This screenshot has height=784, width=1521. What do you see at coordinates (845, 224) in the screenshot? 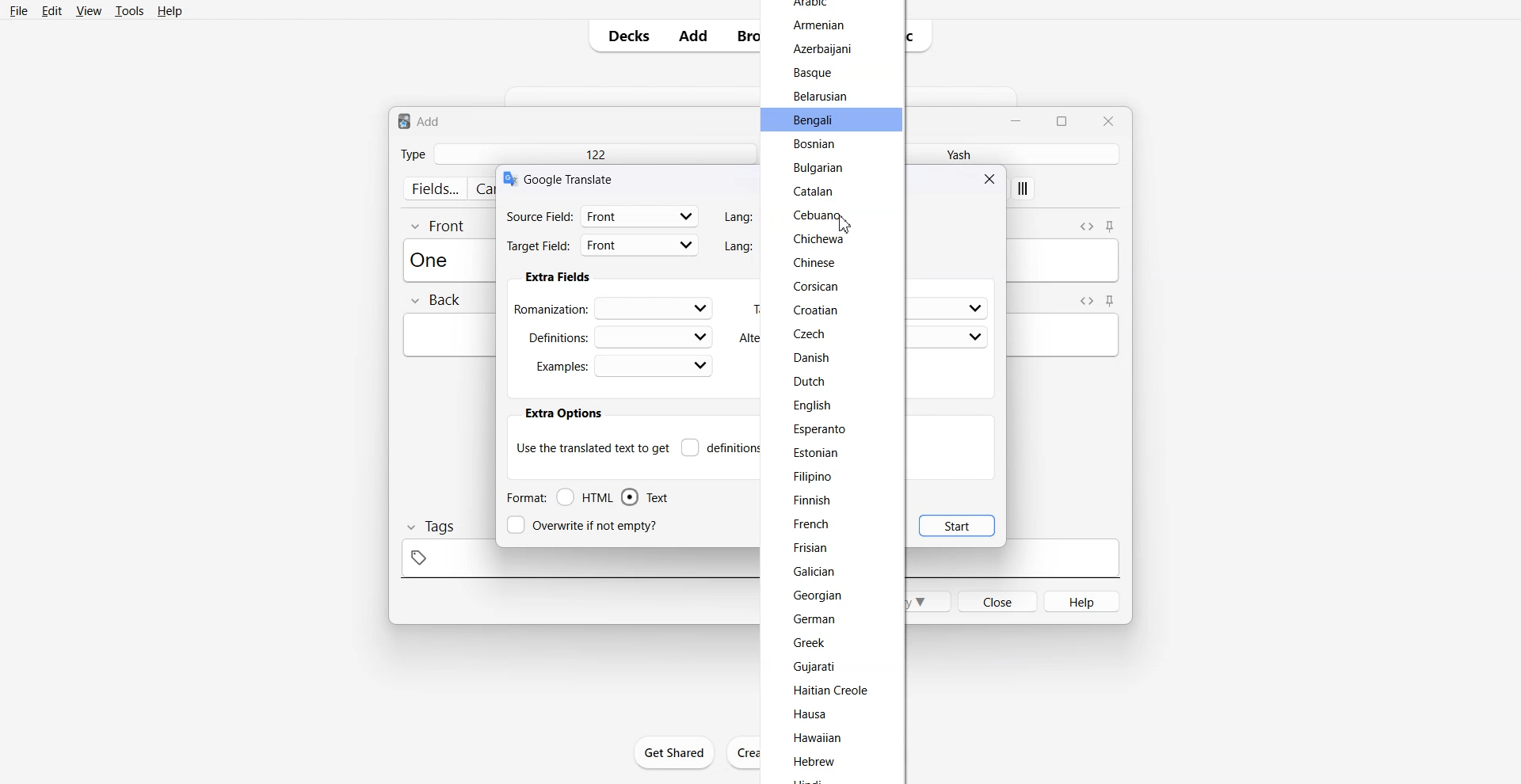
I see `Cursor` at bounding box center [845, 224].